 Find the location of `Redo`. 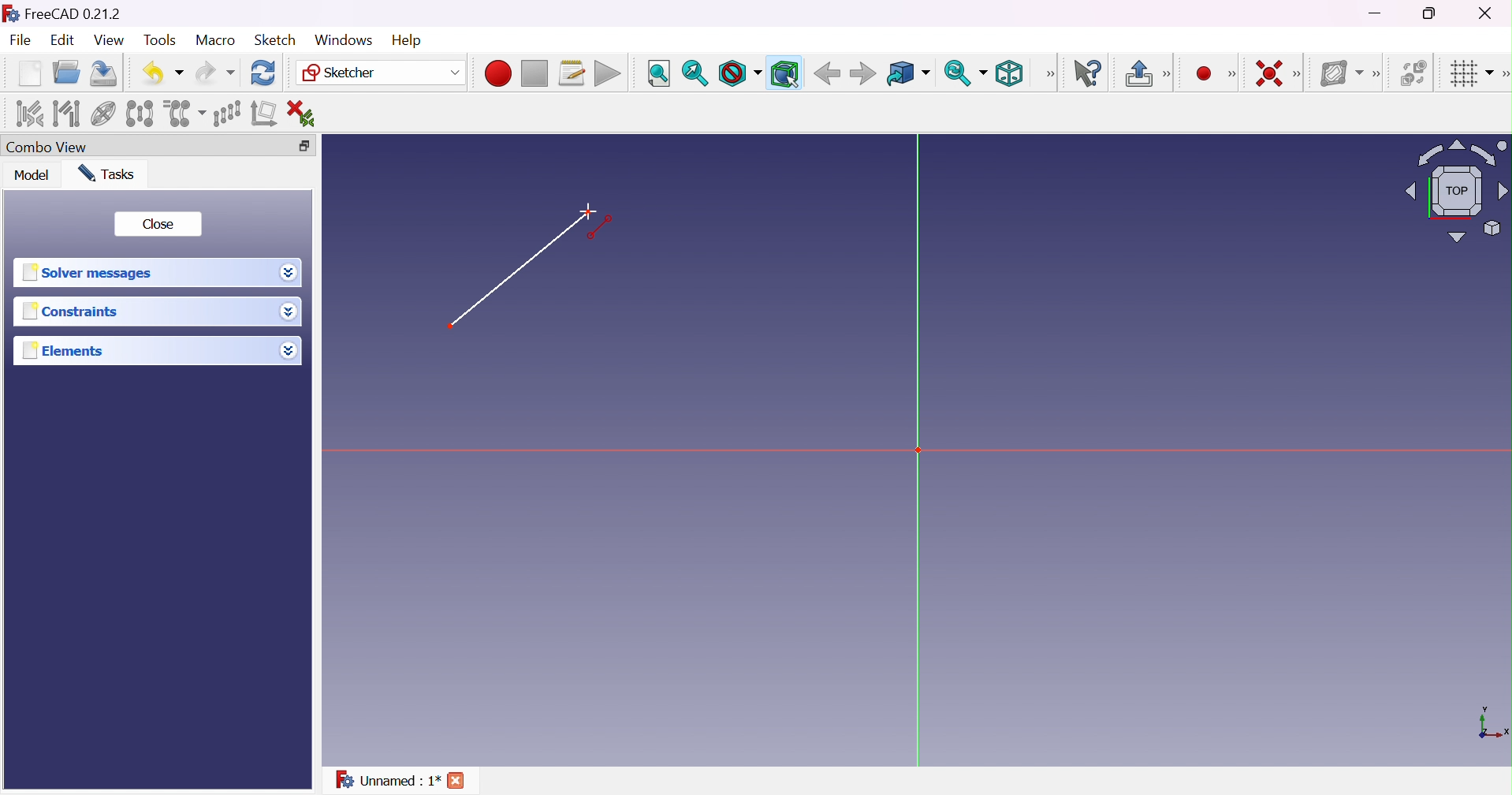

Redo is located at coordinates (214, 73).